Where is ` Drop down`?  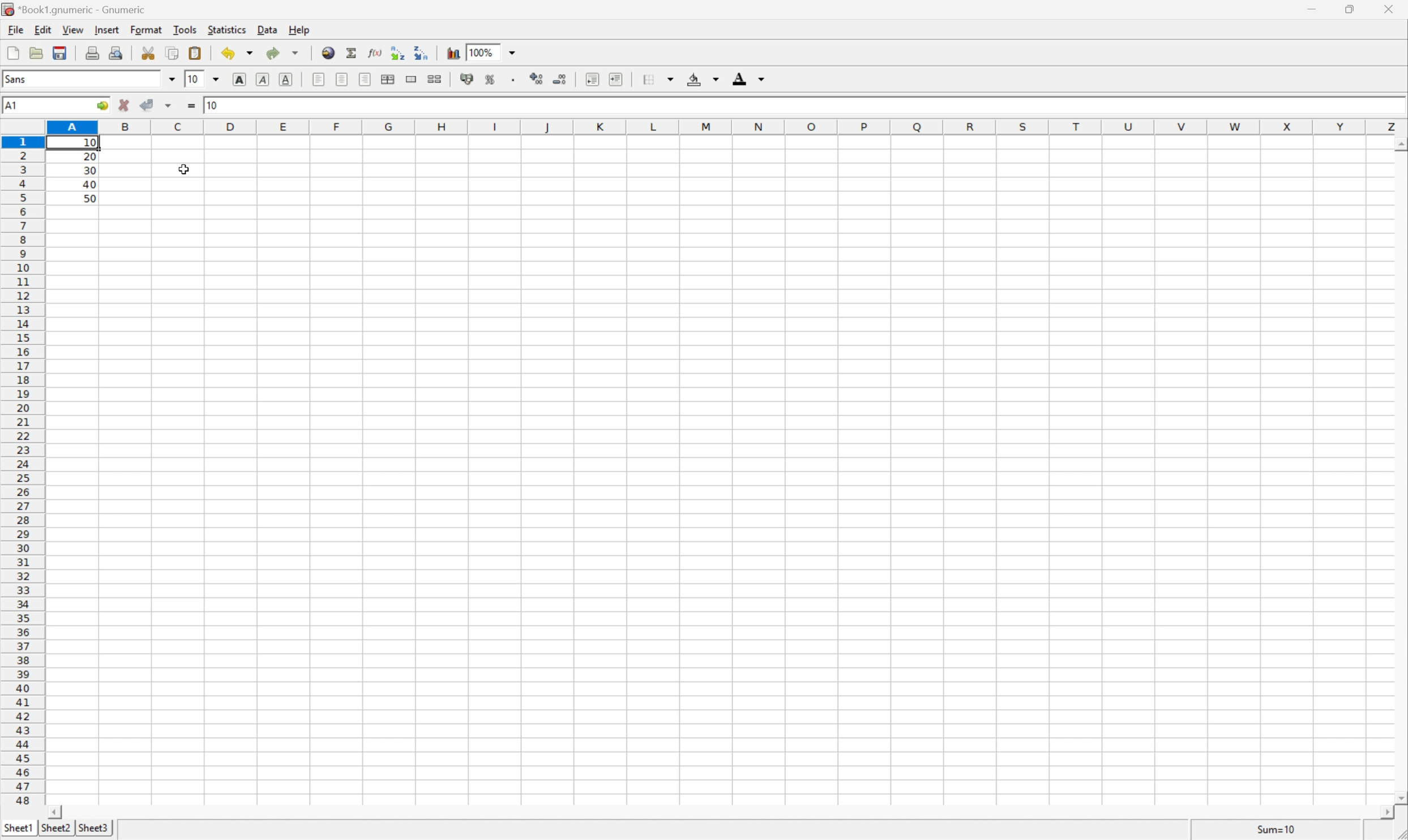
 Drop down is located at coordinates (171, 77).